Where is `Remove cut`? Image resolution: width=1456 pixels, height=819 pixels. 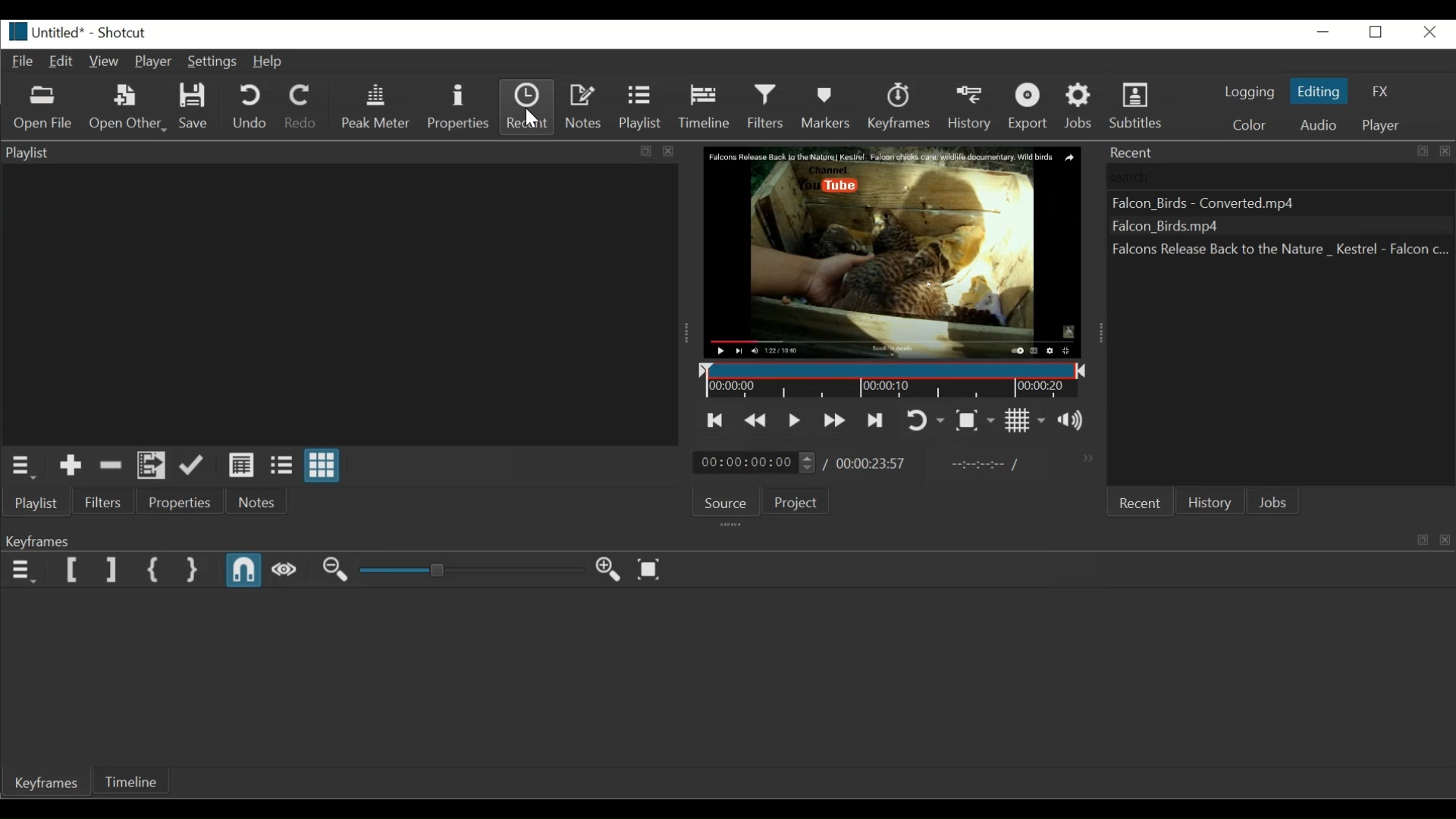 Remove cut is located at coordinates (111, 465).